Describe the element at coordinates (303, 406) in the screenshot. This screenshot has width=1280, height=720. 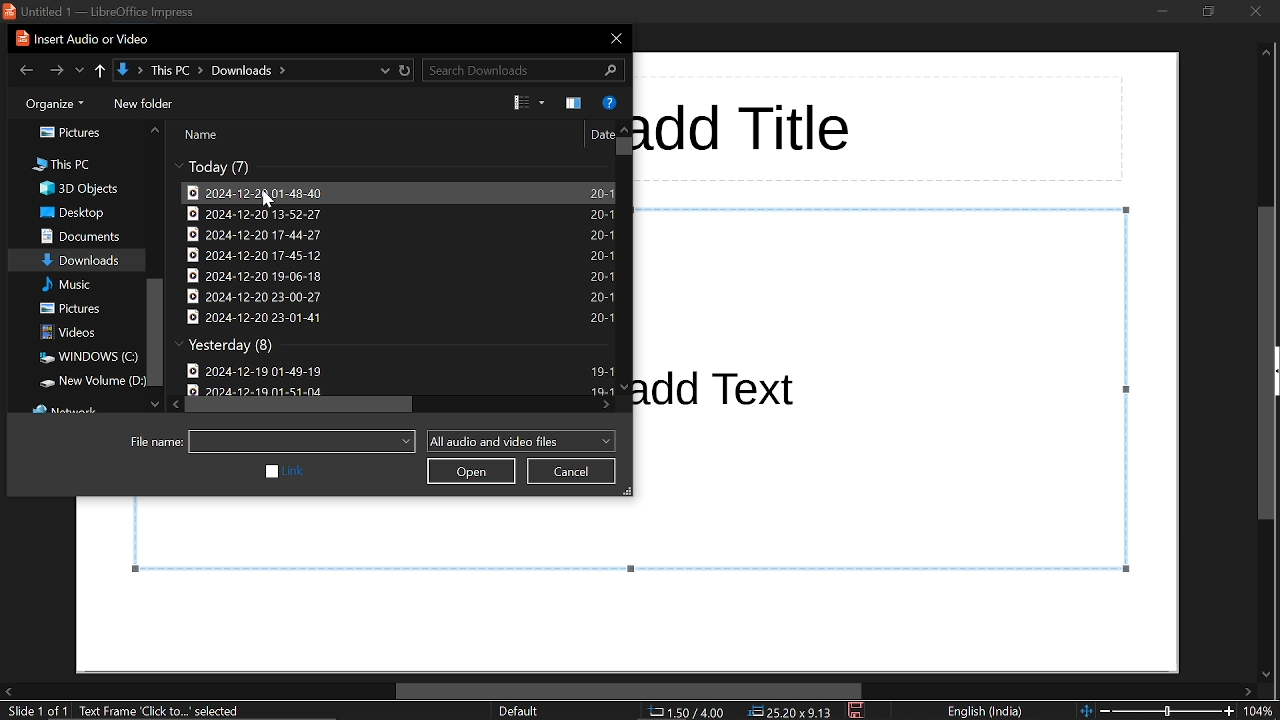
I see `horizontal scrollbar` at that location.